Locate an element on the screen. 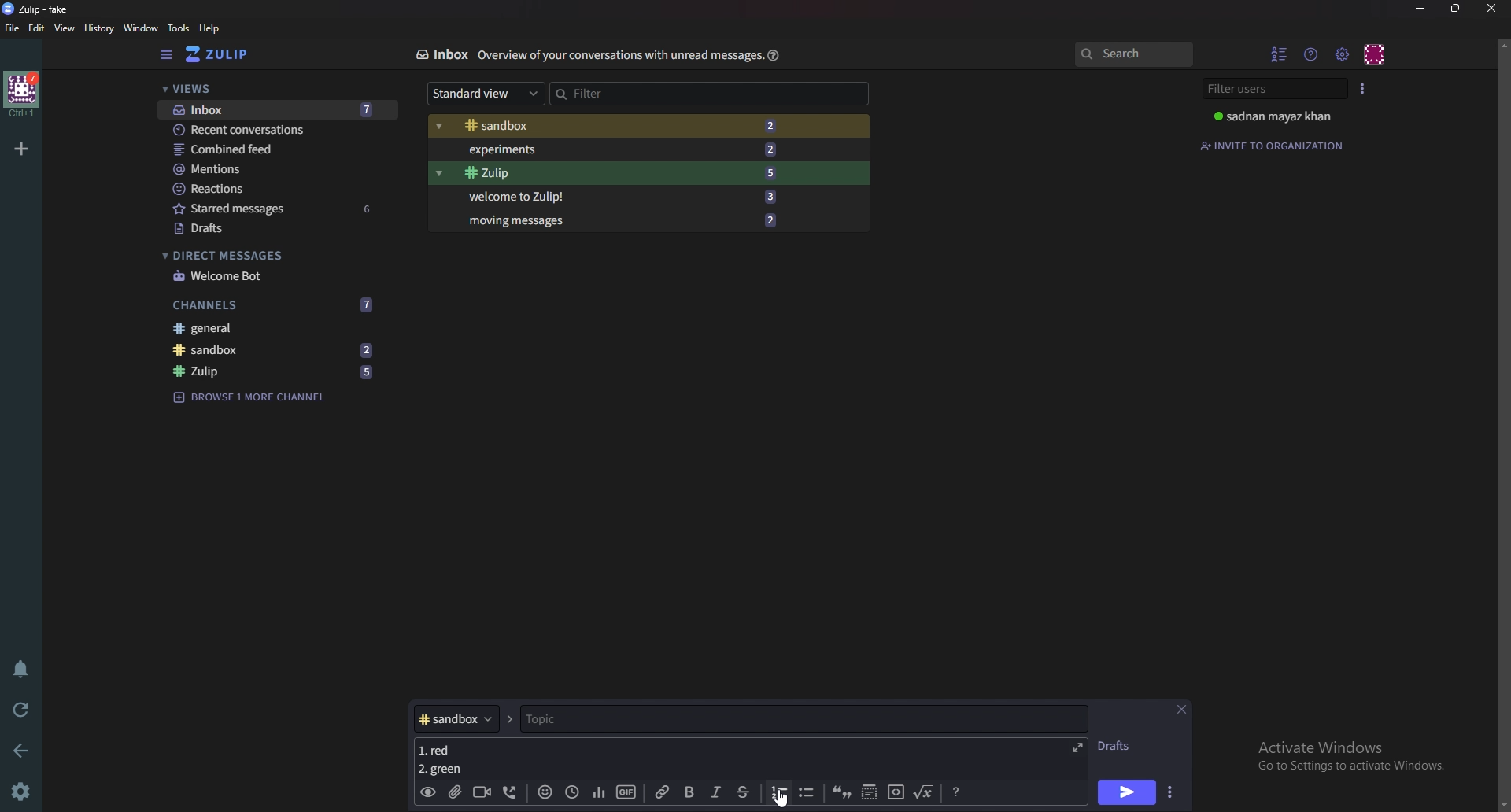  Send options is located at coordinates (1169, 794).